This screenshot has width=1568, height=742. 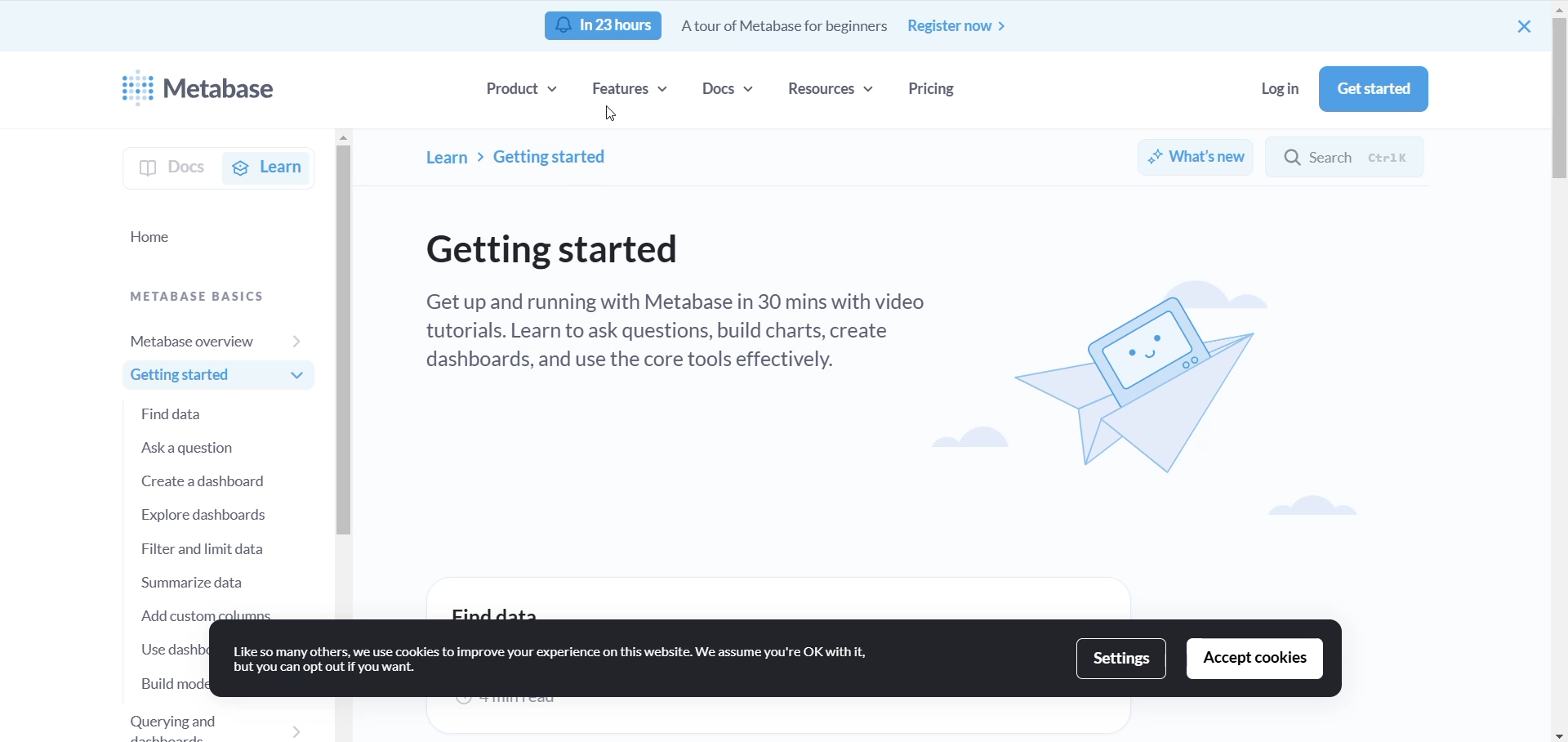 What do you see at coordinates (935, 91) in the screenshot?
I see `pricing` at bounding box center [935, 91].